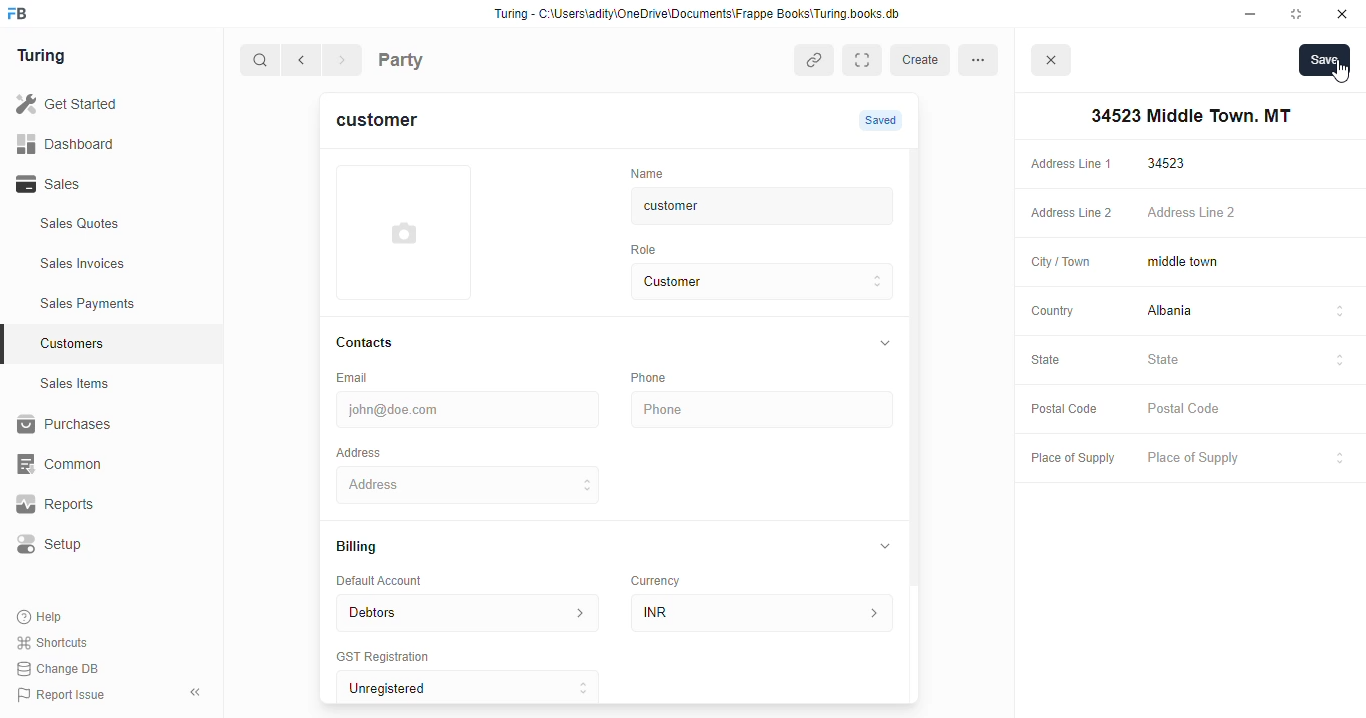 This screenshot has height=718, width=1366. I want to click on Country, so click(1051, 310).